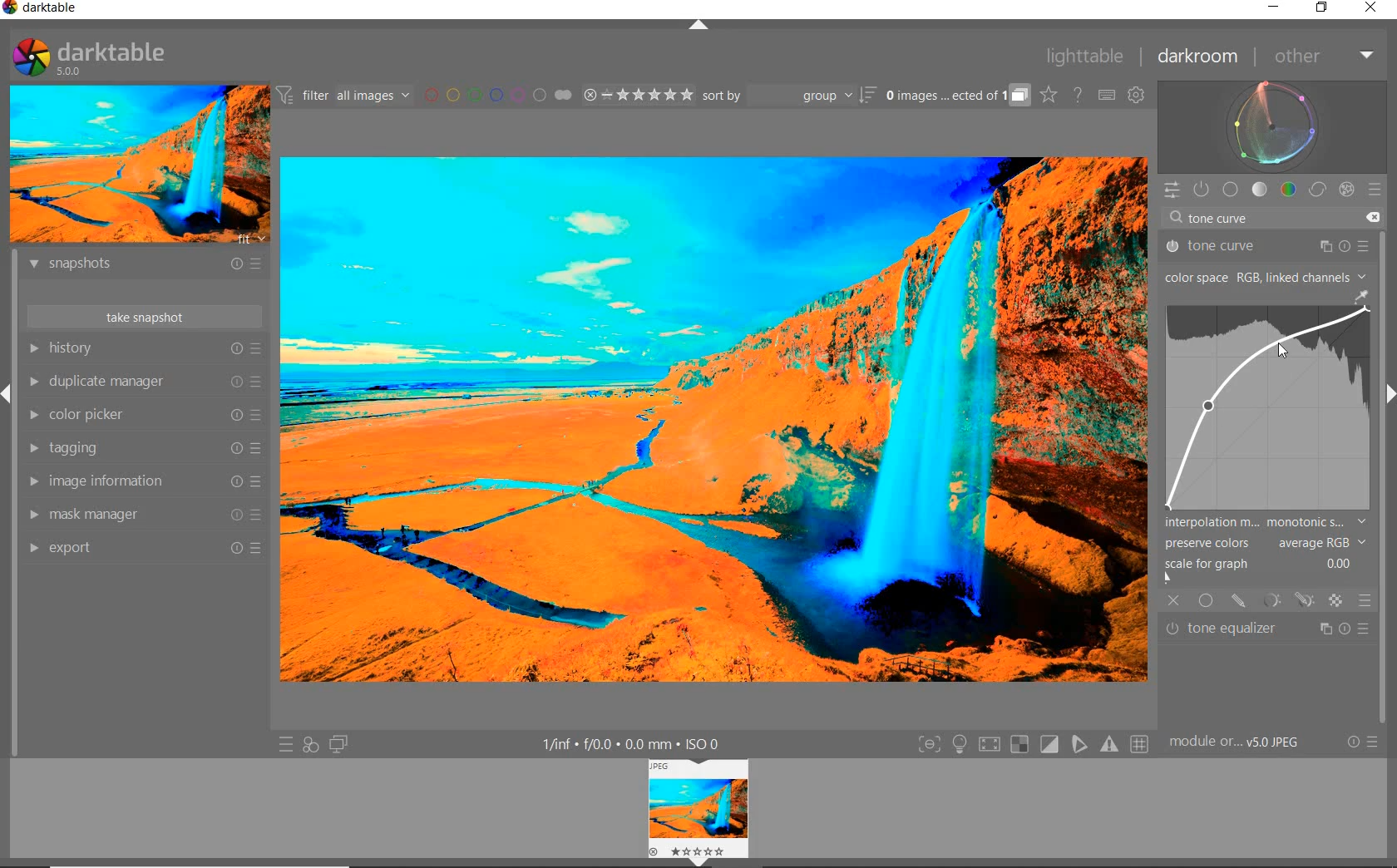 The image size is (1397, 868). I want to click on image information, so click(143, 481).